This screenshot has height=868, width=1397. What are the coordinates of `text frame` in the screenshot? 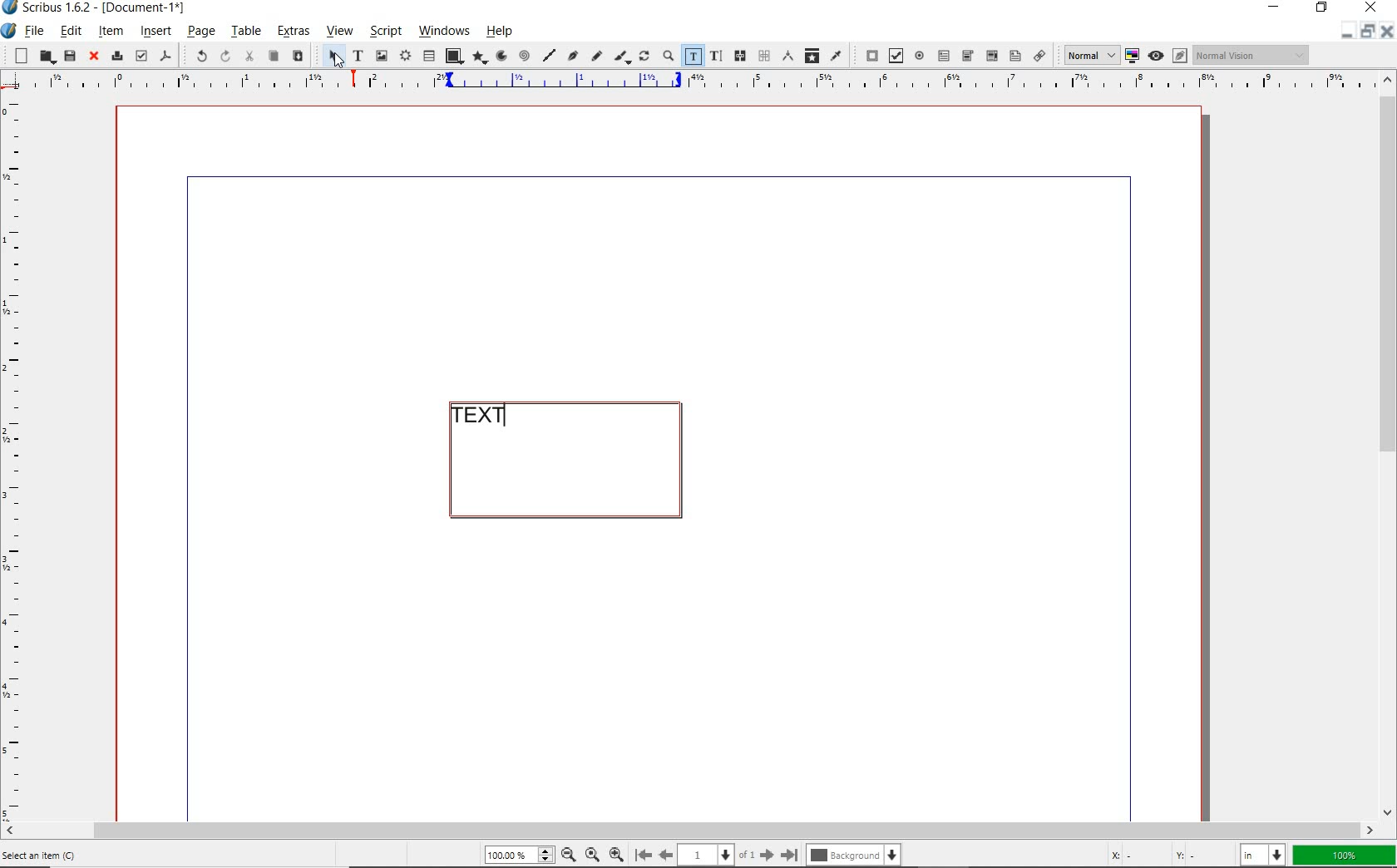 It's located at (355, 56).